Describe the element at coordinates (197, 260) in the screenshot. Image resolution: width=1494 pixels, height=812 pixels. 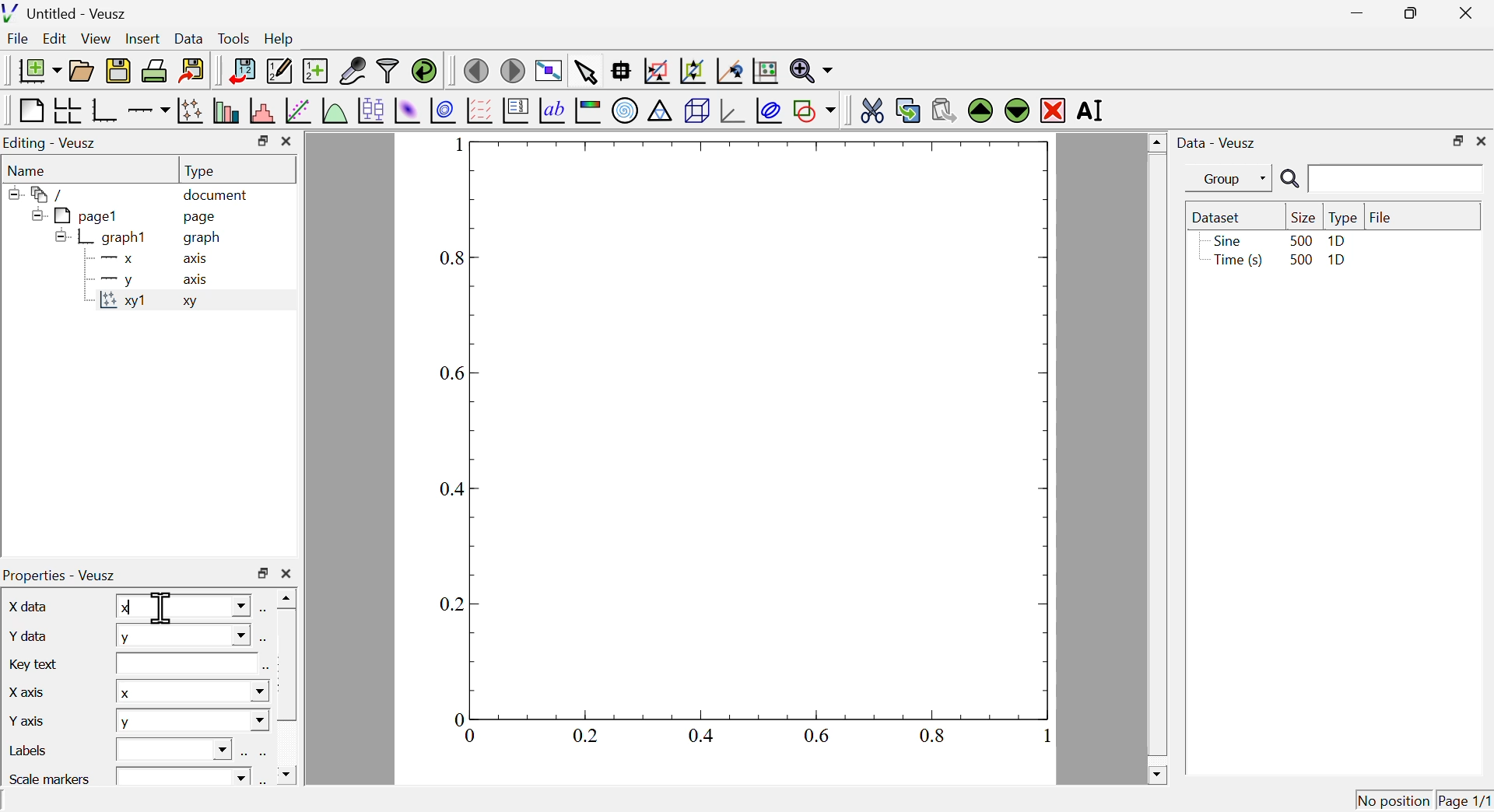
I see `axis` at that location.